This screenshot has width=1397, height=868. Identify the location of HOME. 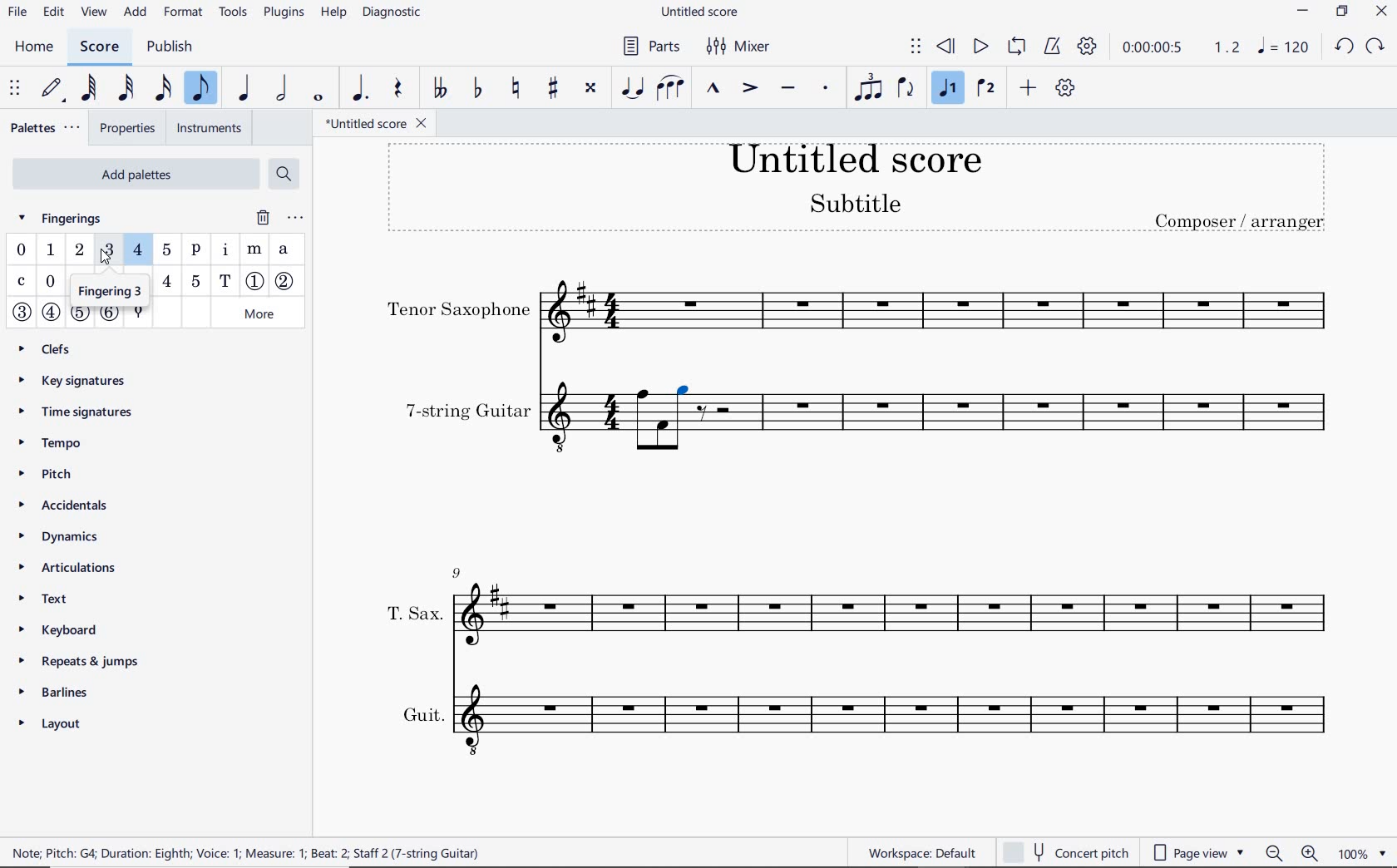
(38, 48).